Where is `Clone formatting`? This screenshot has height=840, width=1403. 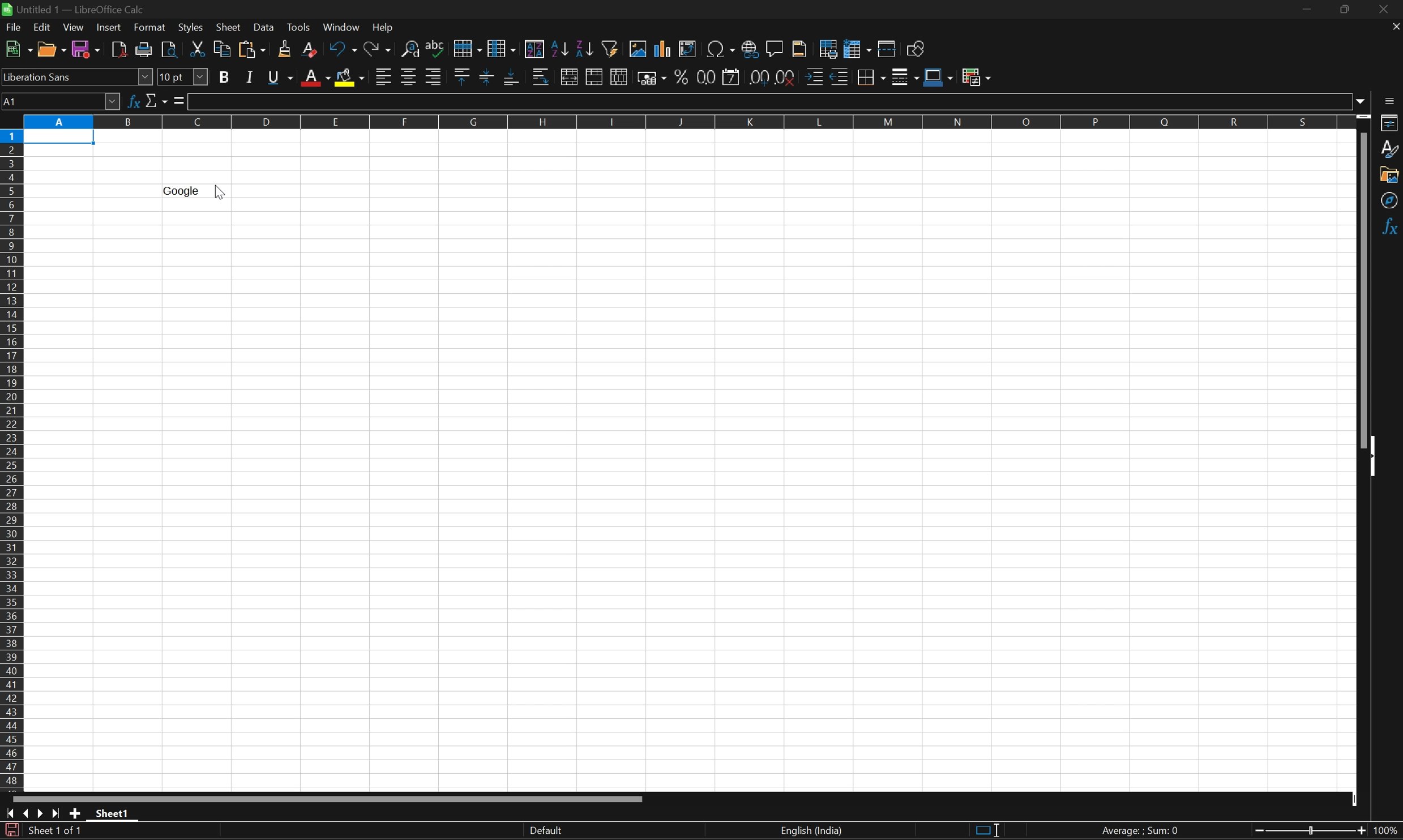
Clone formatting is located at coordinates (286, 49).